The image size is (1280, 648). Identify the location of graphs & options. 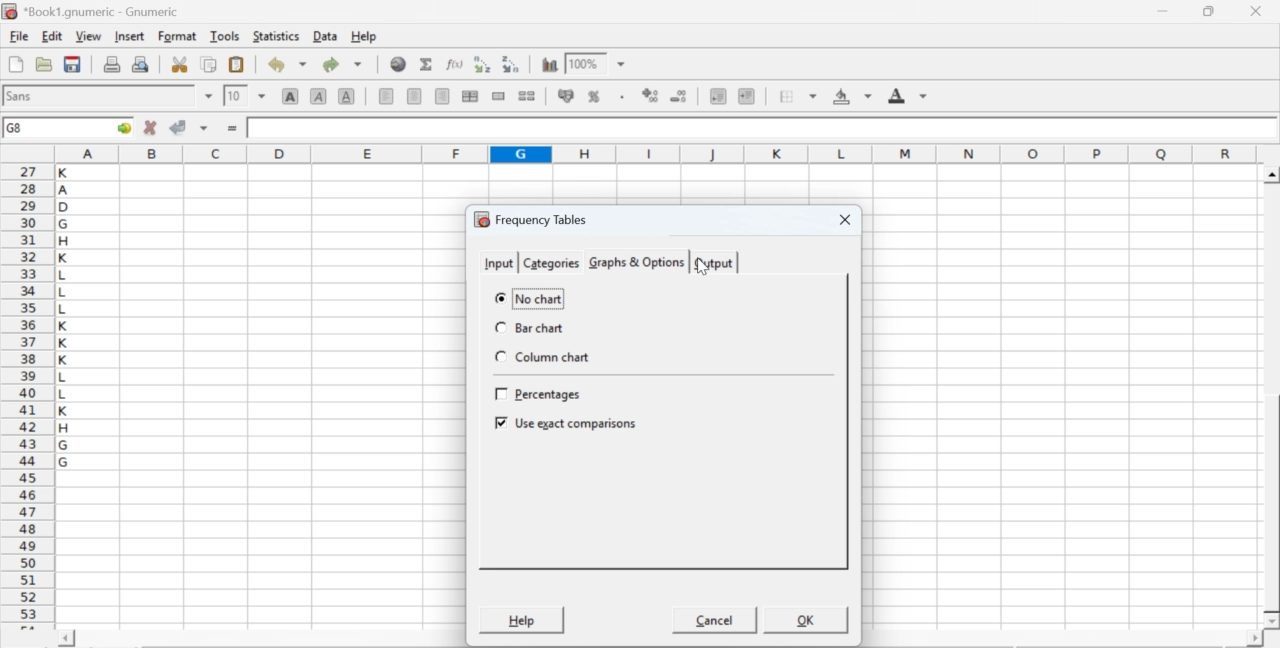
(638, 263).